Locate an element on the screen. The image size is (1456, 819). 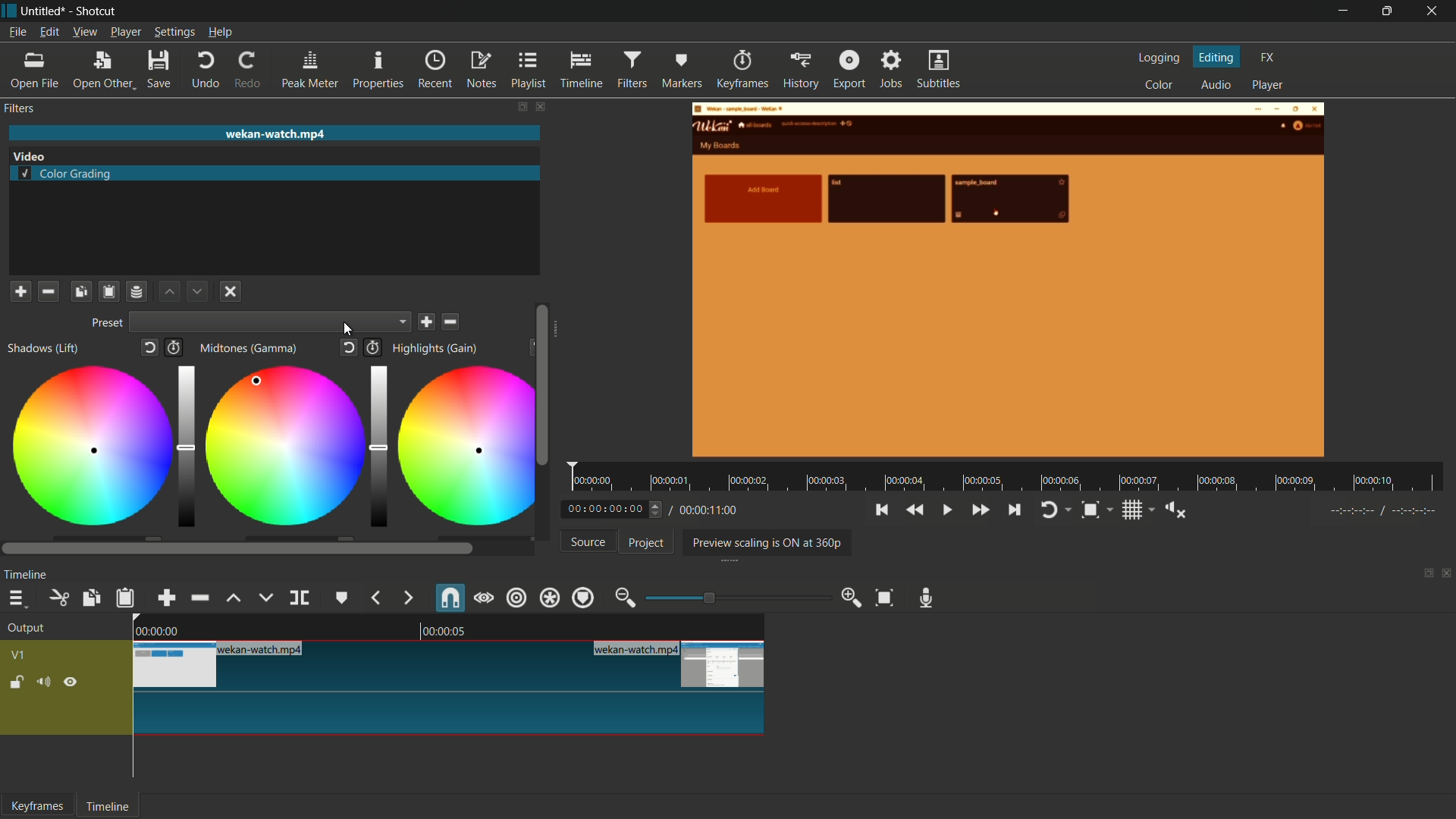
fx is located at coordinates (1268, 58).